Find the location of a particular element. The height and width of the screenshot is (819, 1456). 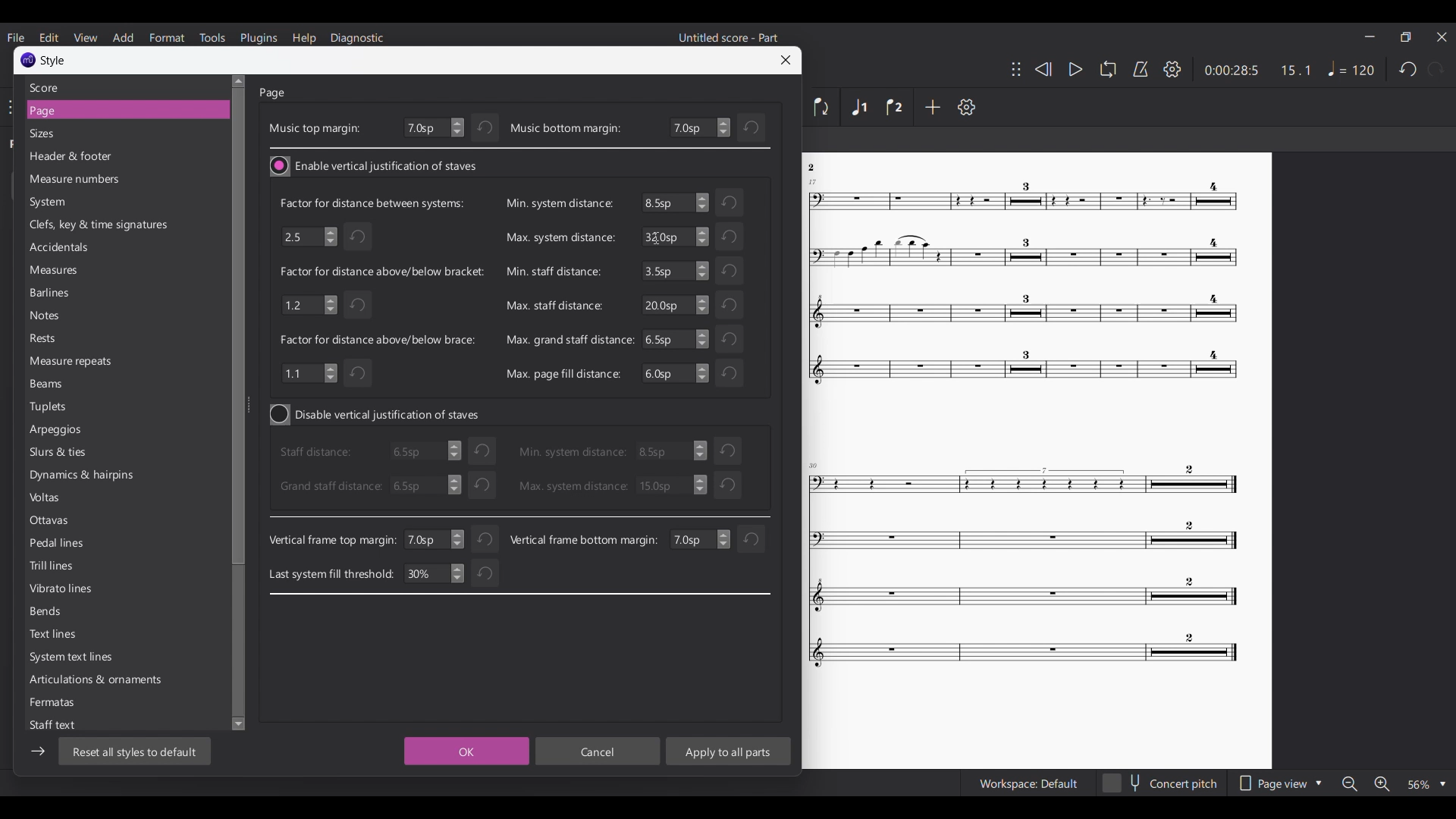

Rests is located at coordinates (71, 340).